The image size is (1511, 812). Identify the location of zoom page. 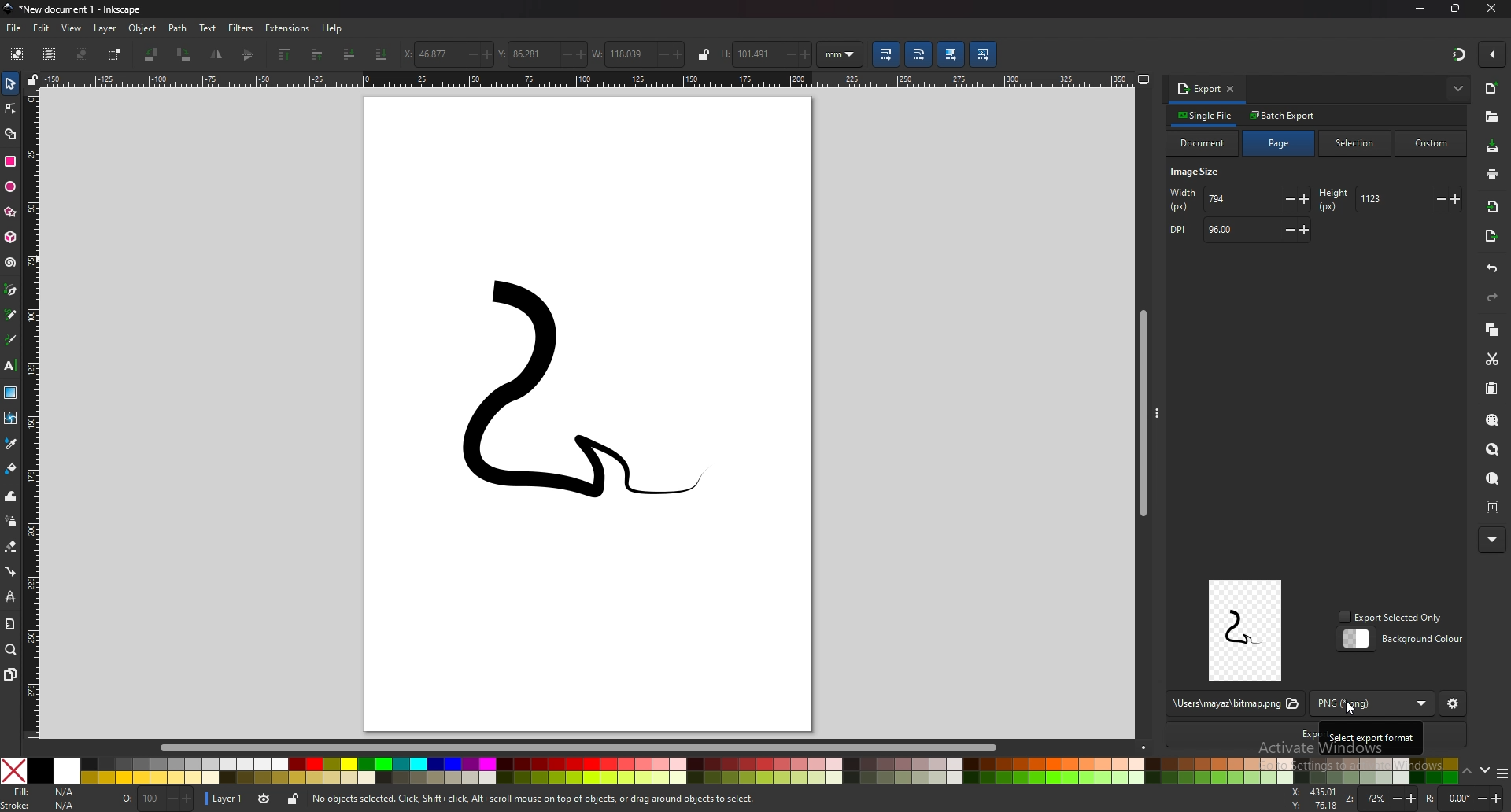
(1494, 480).